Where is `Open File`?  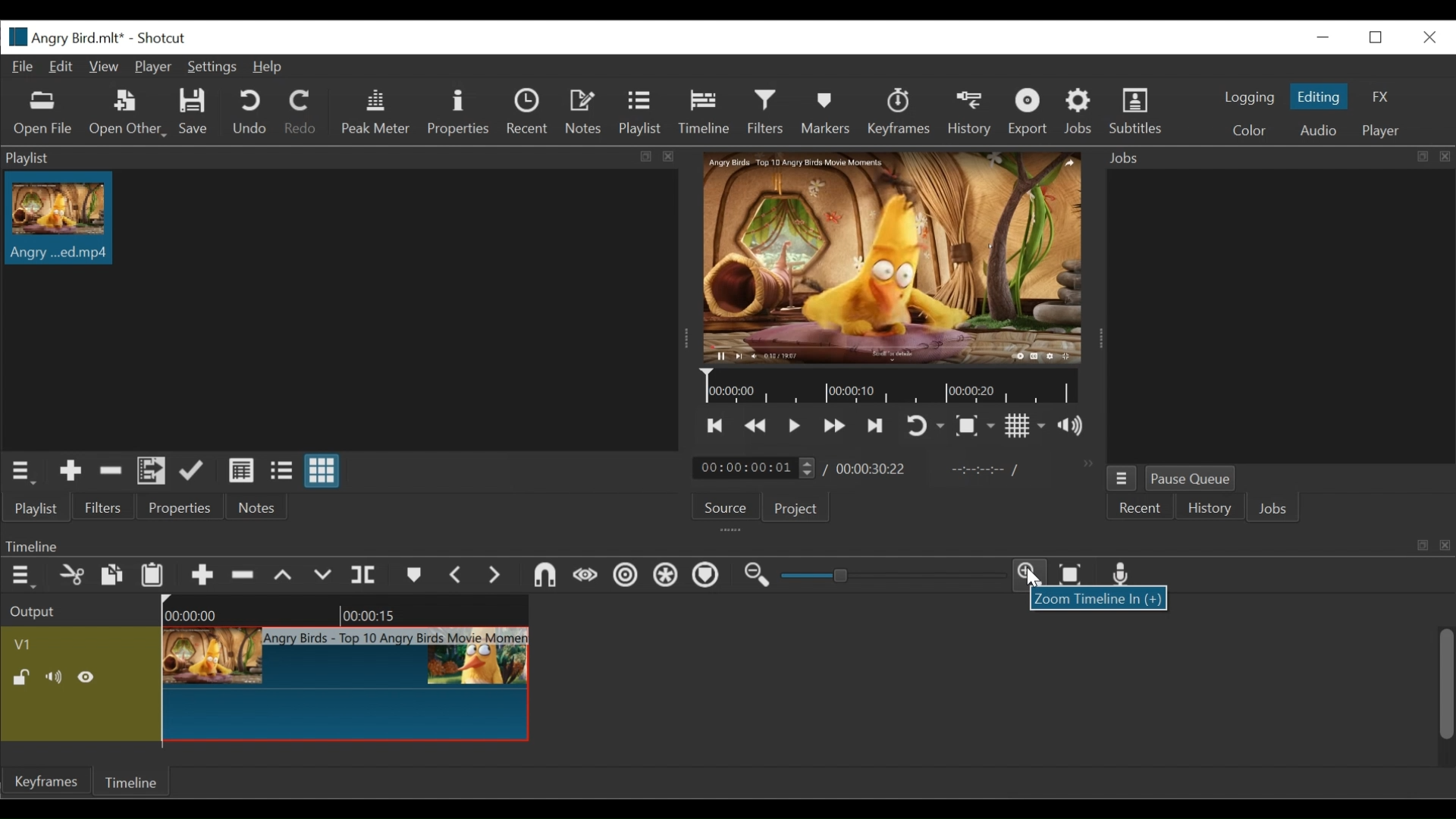 Open File is located at coordinates (42, 116).